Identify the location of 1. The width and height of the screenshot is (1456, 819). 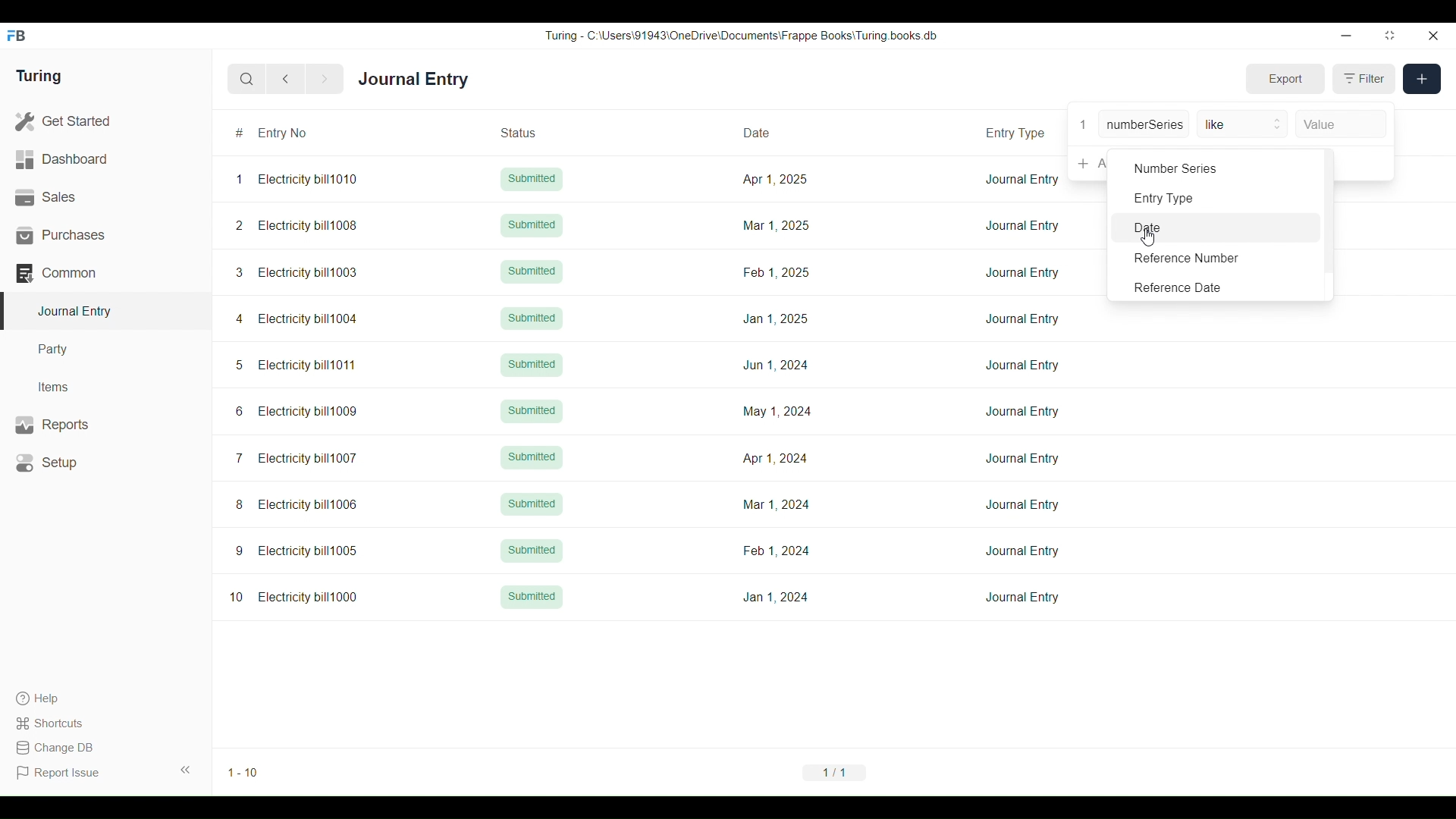
(1084, 124).